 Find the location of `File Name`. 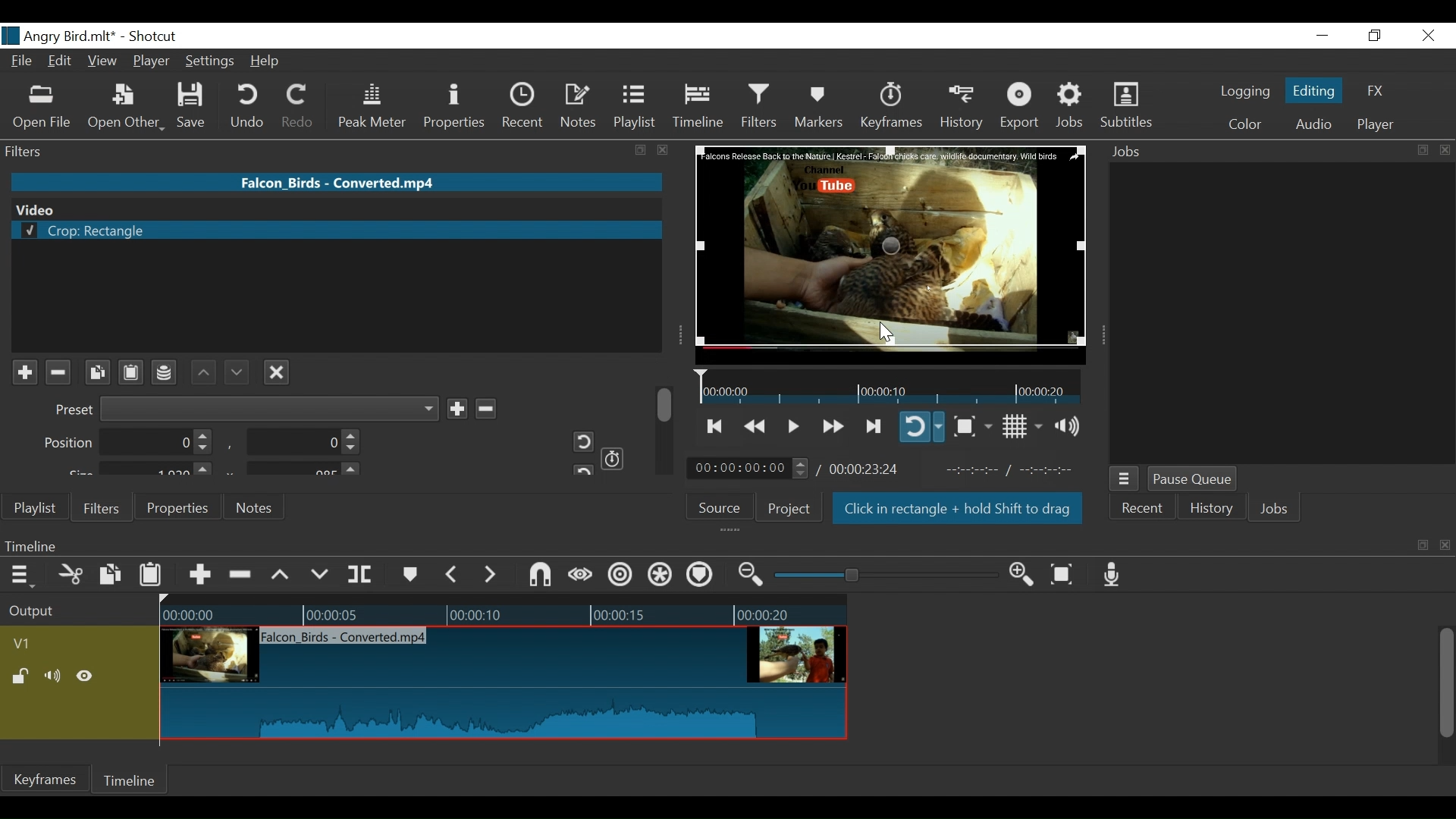

File Name is located at coordinates (24, 63).